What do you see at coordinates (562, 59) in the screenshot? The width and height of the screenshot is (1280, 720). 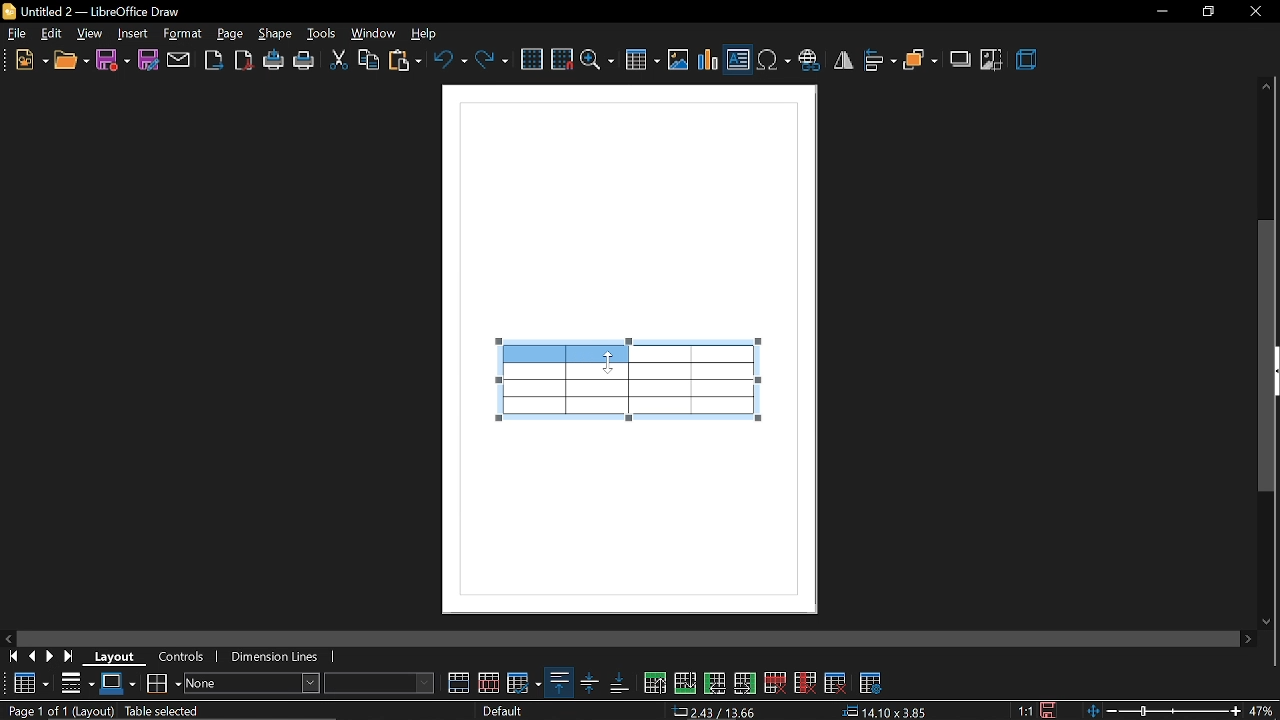 I see `snap to grid` at bounding box center [562, 59].